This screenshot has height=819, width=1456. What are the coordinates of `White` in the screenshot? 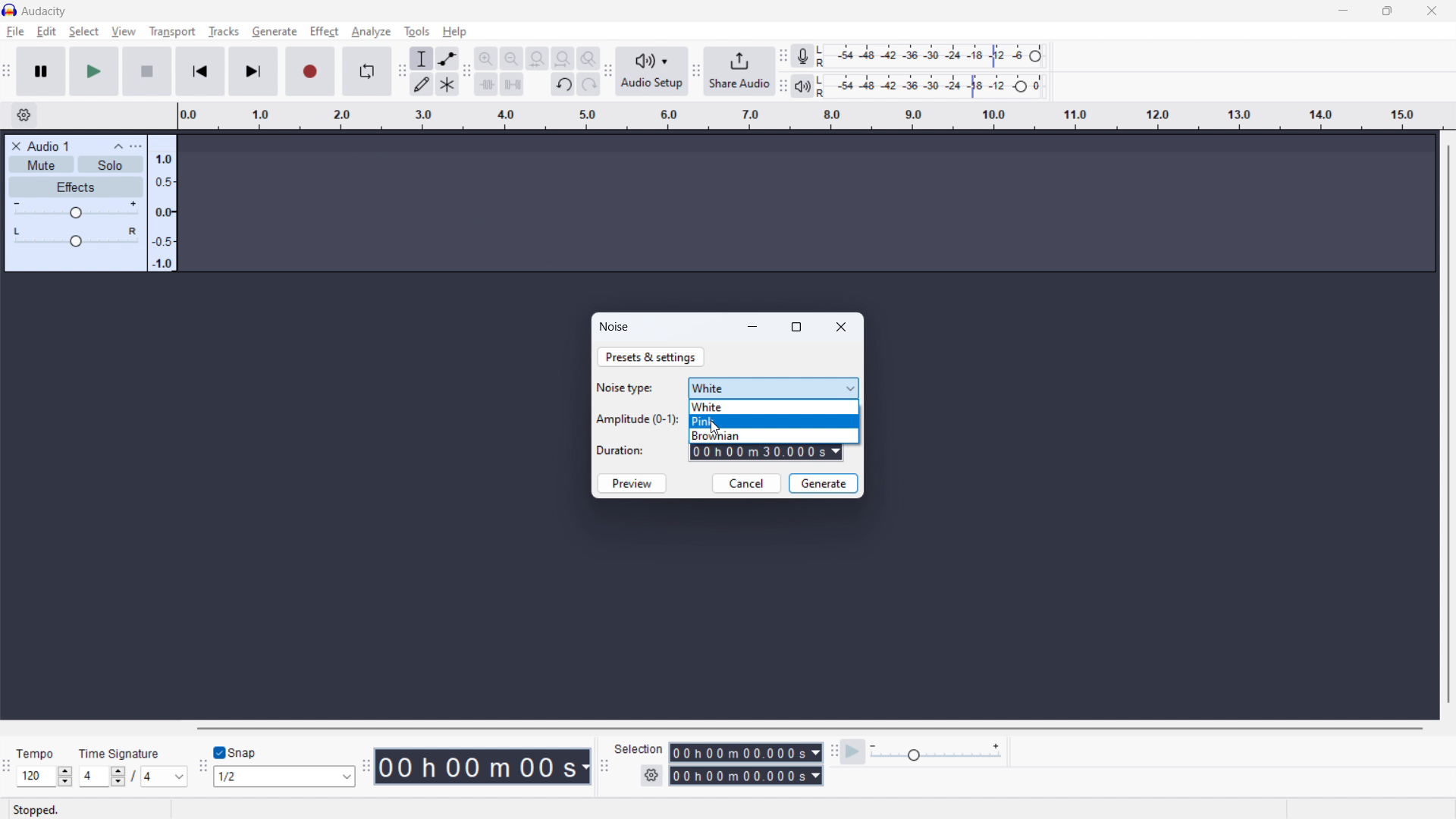 It's located at (775, 406).